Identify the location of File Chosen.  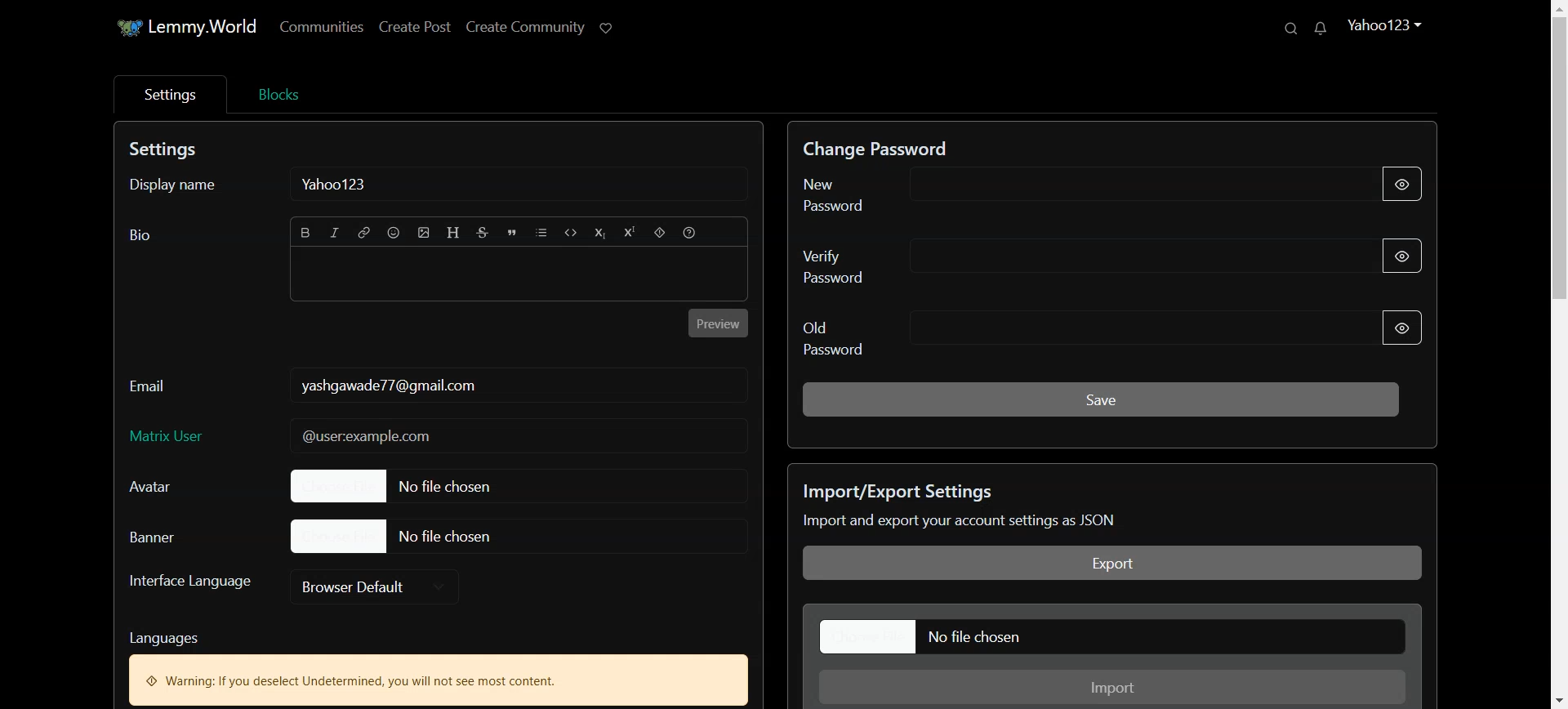
(395, 535).